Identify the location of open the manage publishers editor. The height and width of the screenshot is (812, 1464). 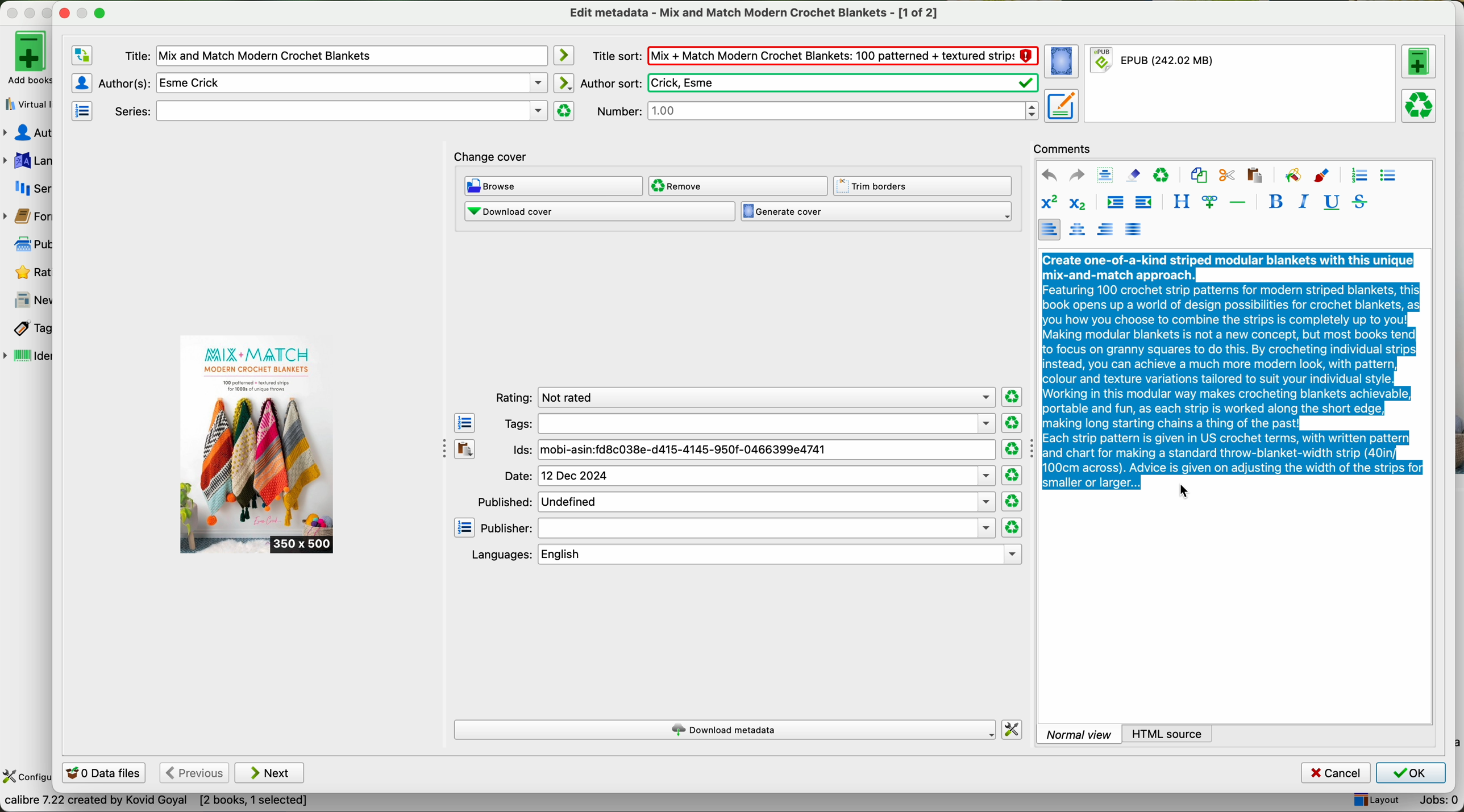
(465, 528).